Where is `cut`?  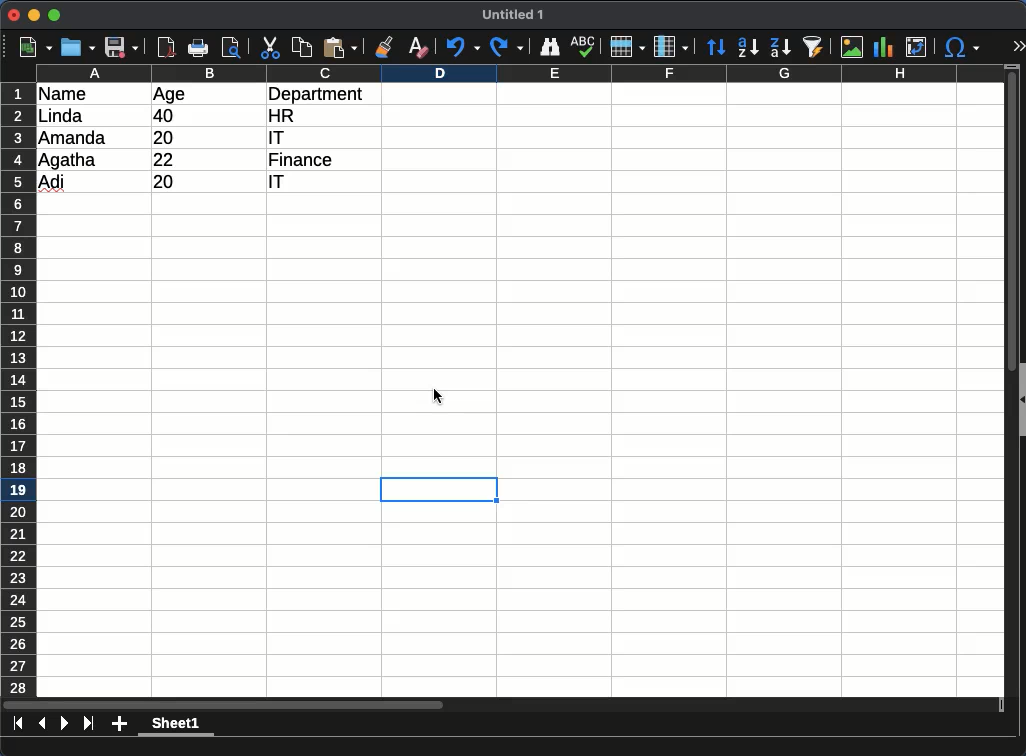 cut is located at coordinates (271, 47).